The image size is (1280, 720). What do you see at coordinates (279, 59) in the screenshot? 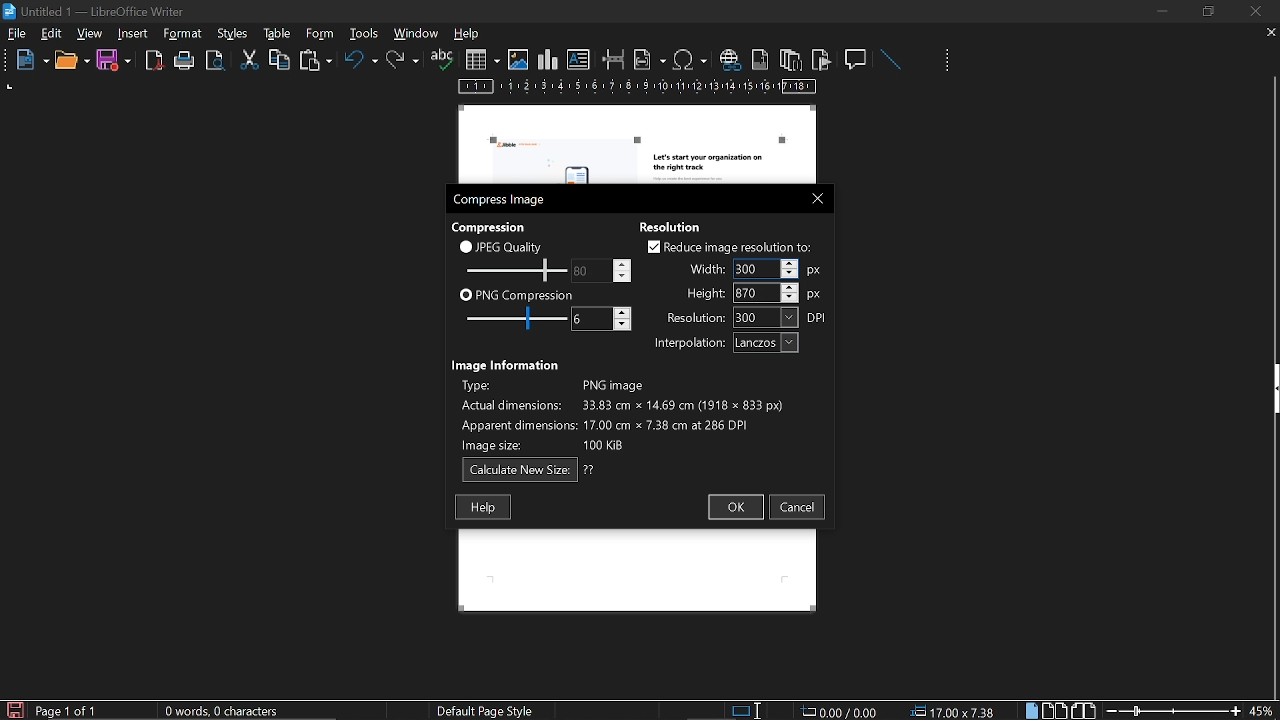
I see `copy` at bounding box center [279, 59].